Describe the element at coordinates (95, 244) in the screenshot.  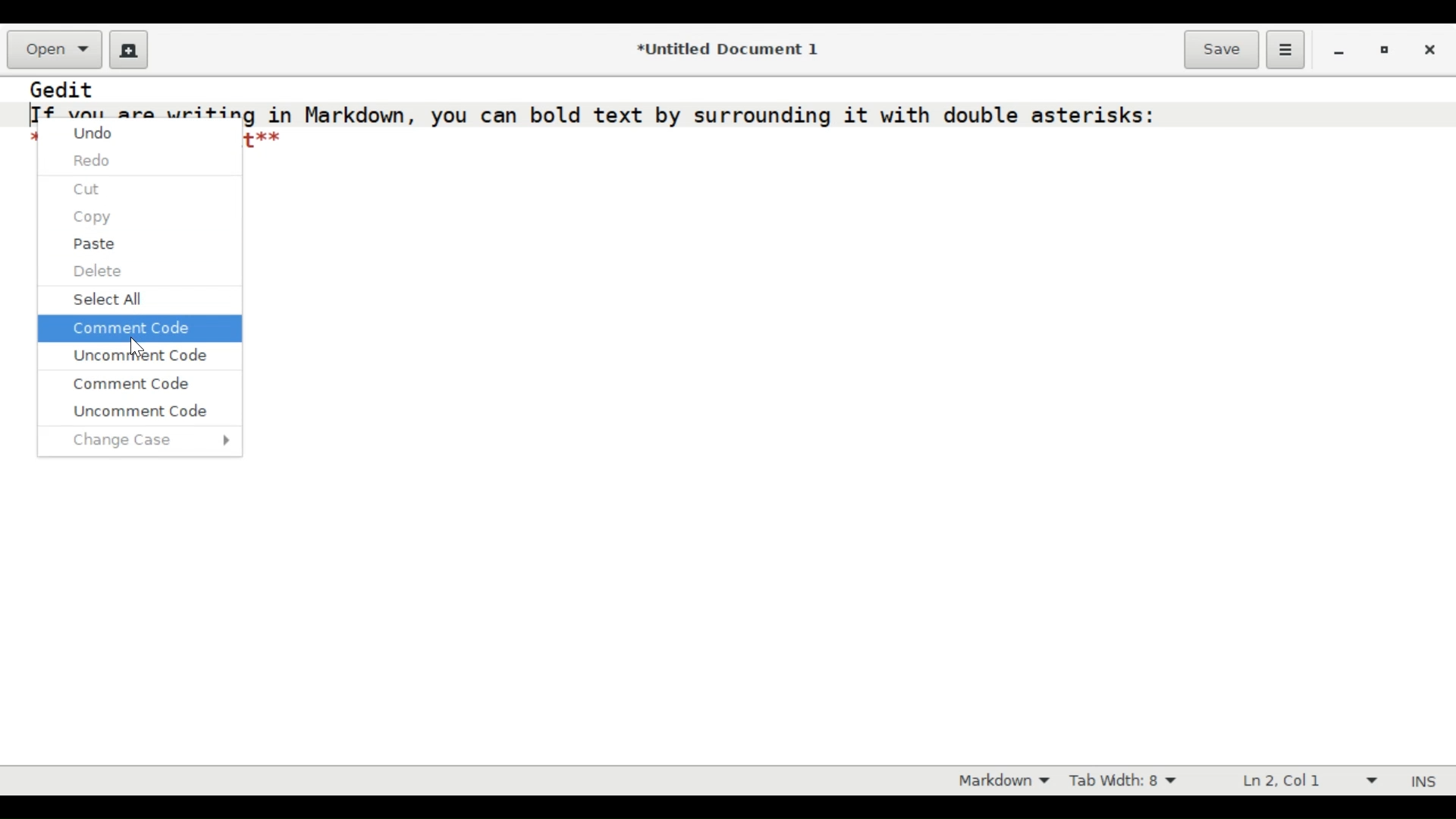
I see `Paste` at that location.